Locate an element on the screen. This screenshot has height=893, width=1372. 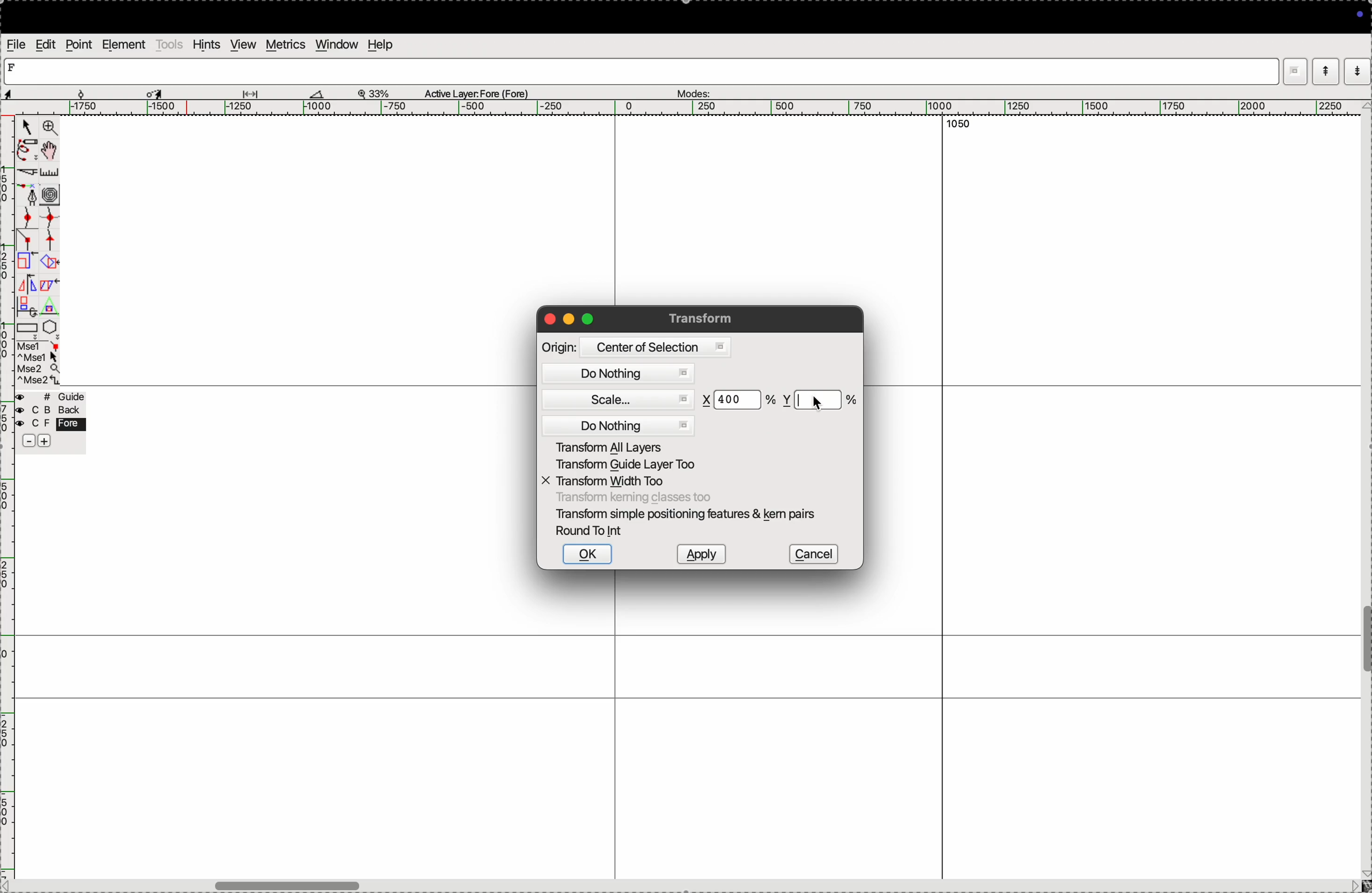
transform width too is located at coordinates (611, 481).